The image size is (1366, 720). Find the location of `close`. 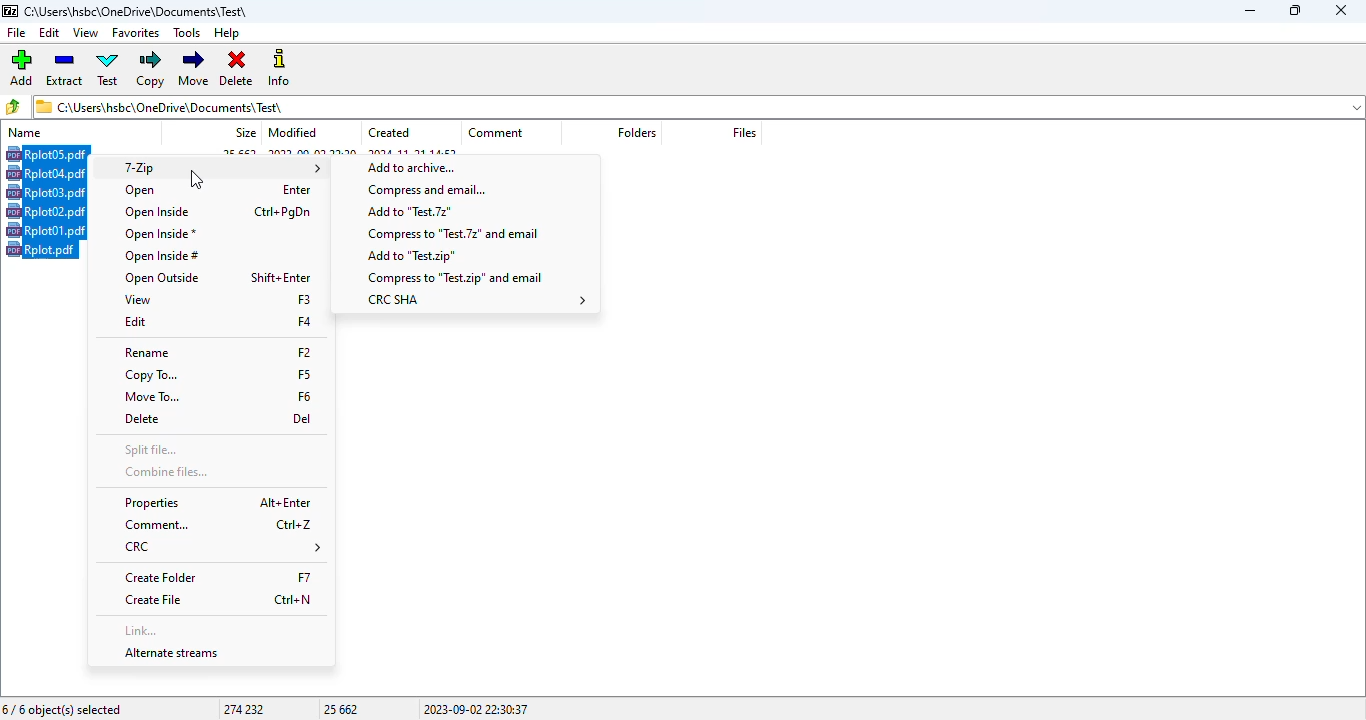

close is located at coordinates (1341, 10).